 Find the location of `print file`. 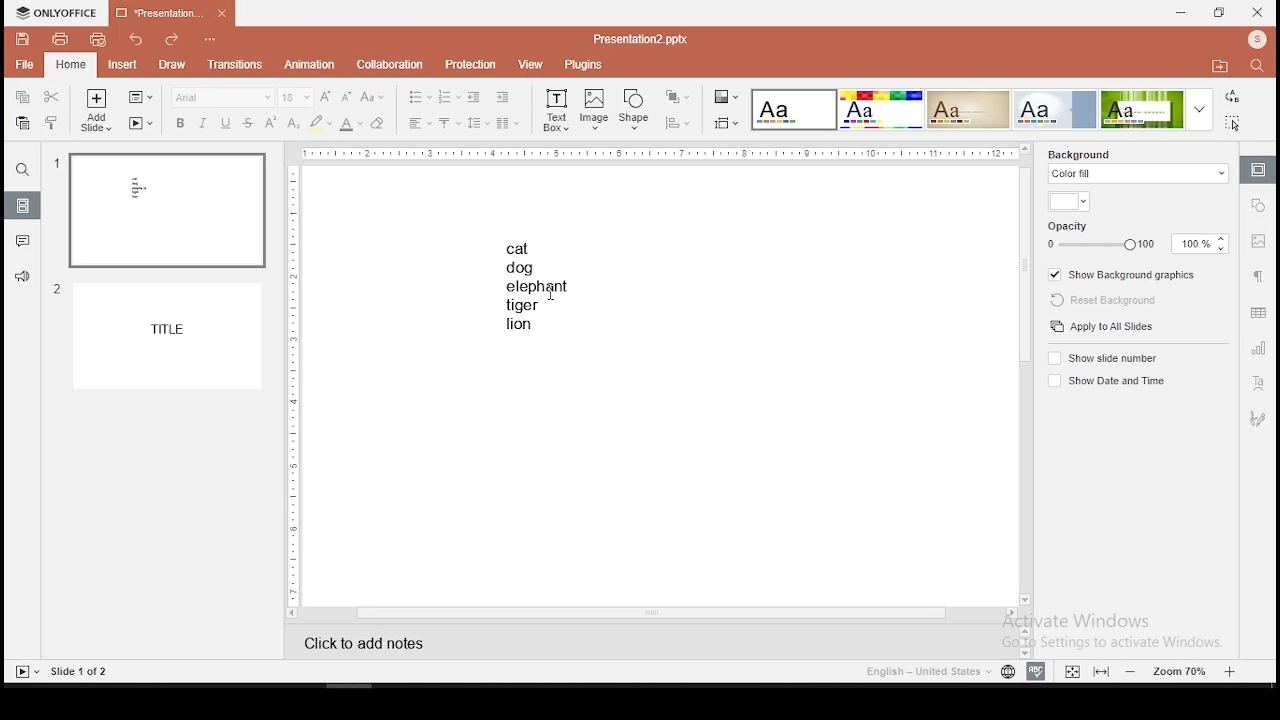

print file is located at coordinates (60, 39).